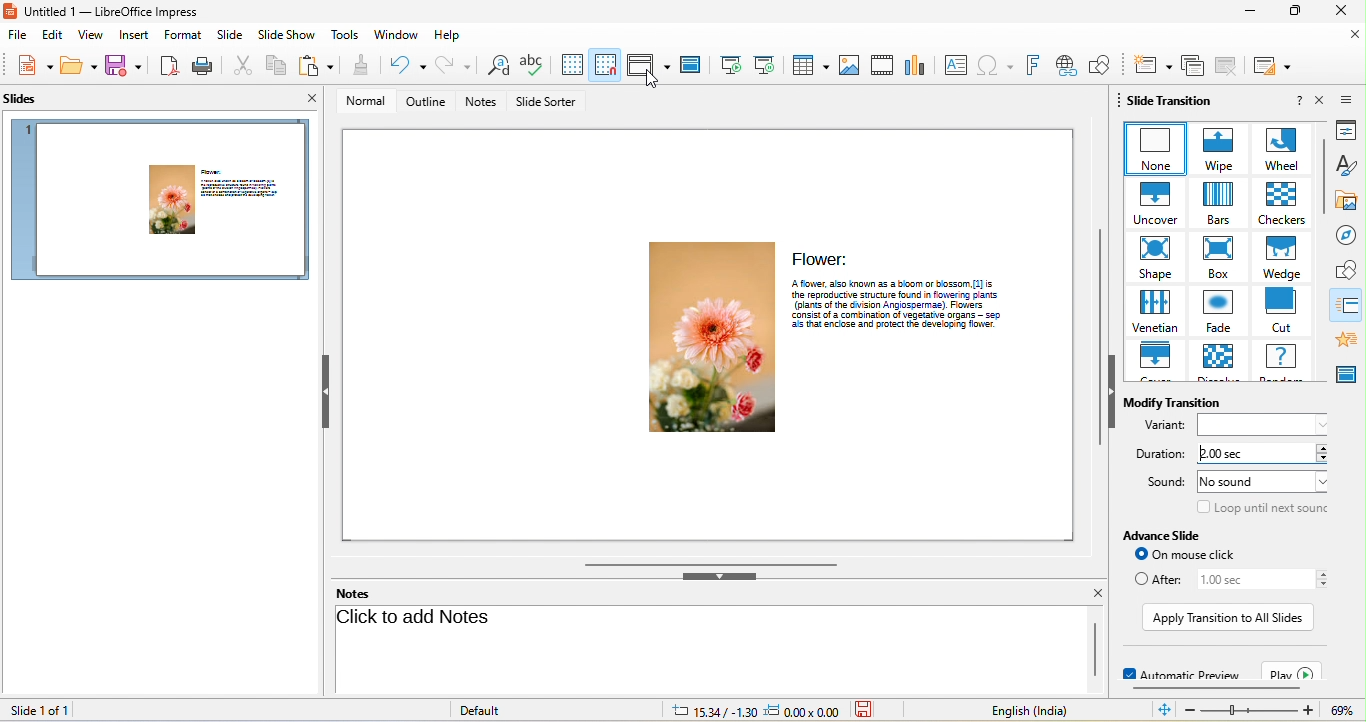 The width and height of the screenshot is (1366, 722). Describe the element at coordinates (482, 101) in the screenshot. I see `notes` at that location.